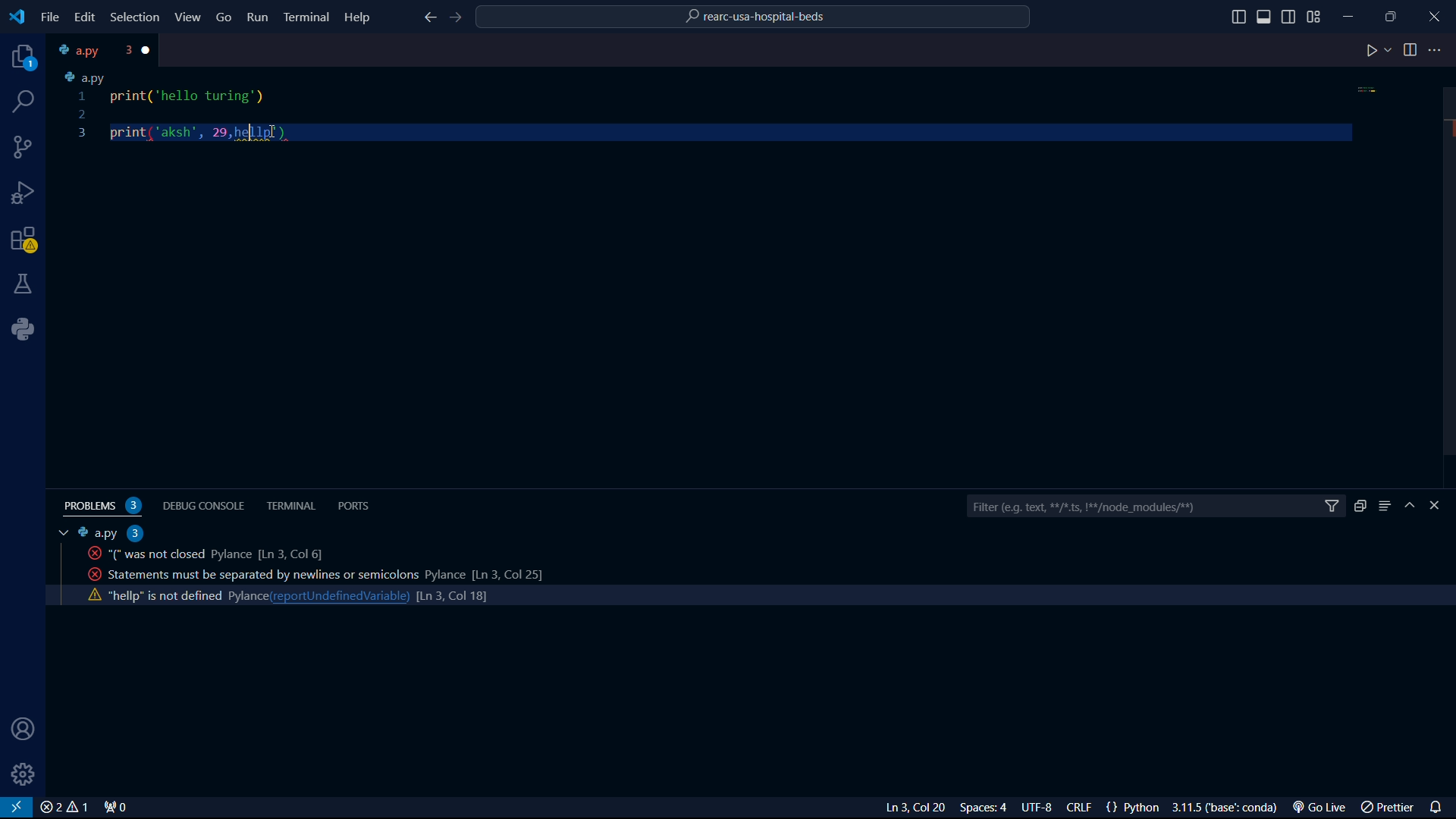 This screenshot has height=819, width=1456. What do you see at coordinates (306, 16) in the screenshot?
I see `Terminal` at bounding box center [306, 16].